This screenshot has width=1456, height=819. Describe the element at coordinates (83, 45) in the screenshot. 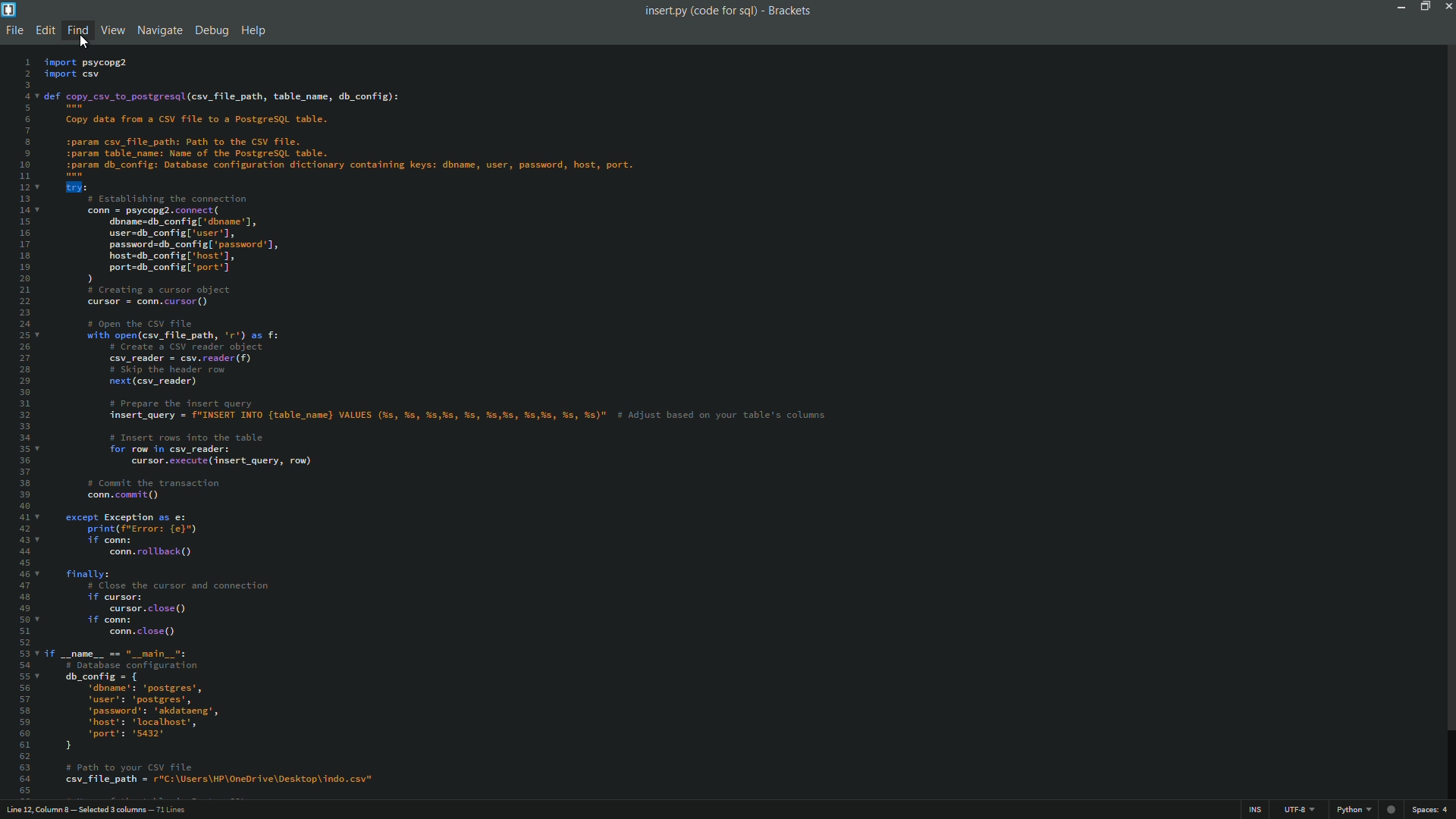

I see `cursor` at that location.